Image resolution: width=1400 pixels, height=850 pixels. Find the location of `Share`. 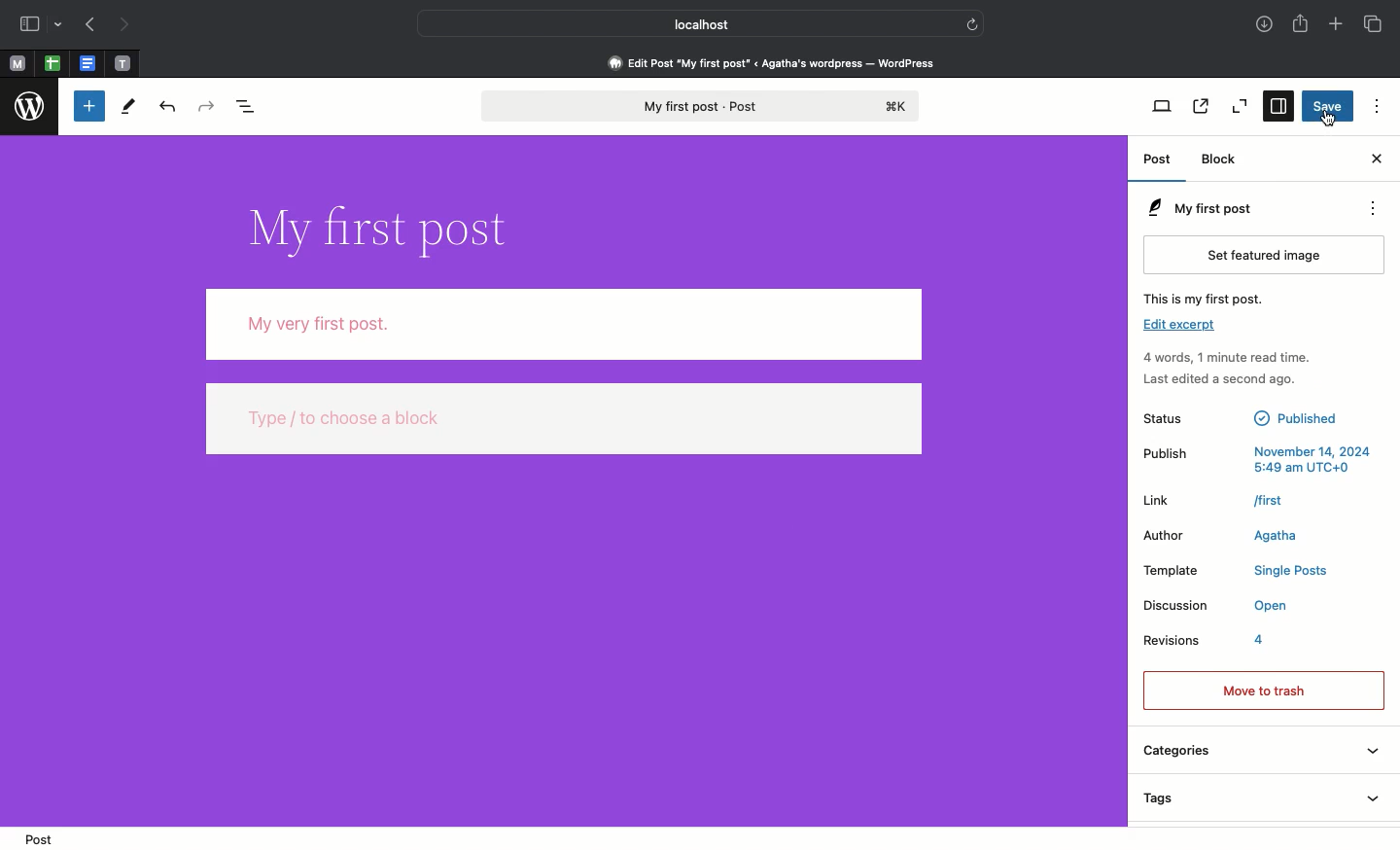

Share is located at coordinates (1303, 25).